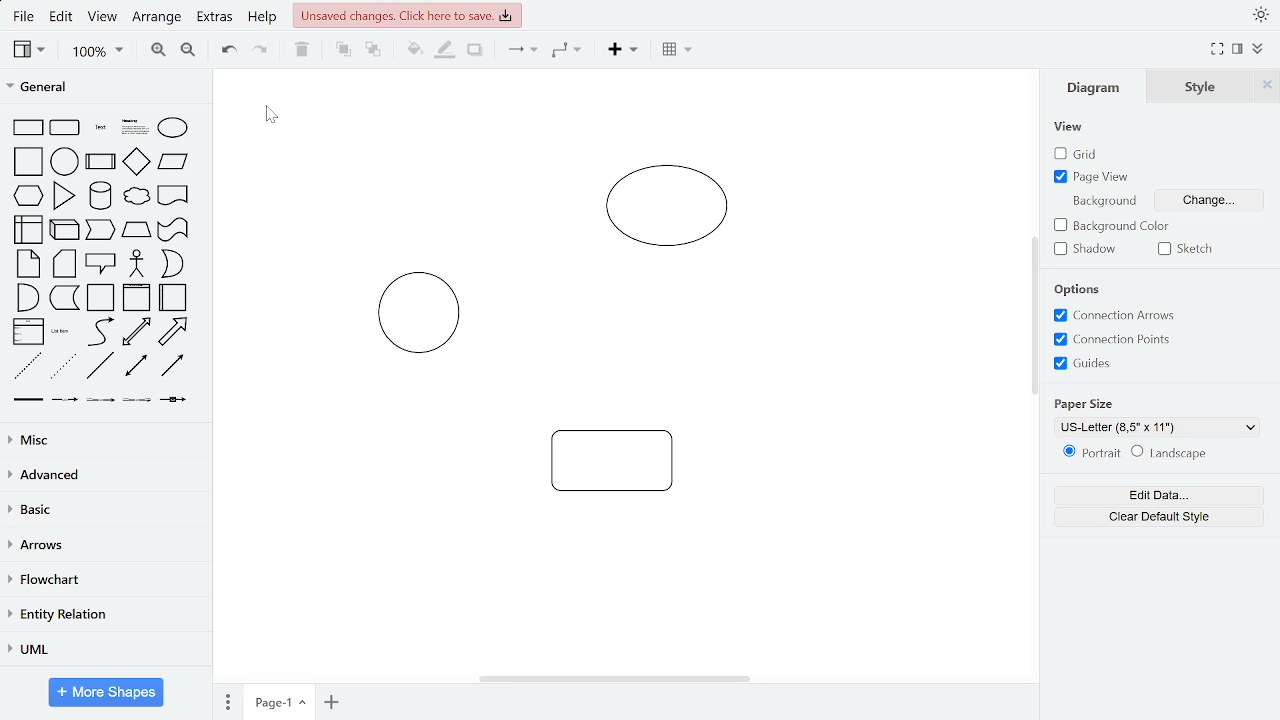 The height and width of the screenshot is (720, 1280). I want to click on background, so click(1082, 289).